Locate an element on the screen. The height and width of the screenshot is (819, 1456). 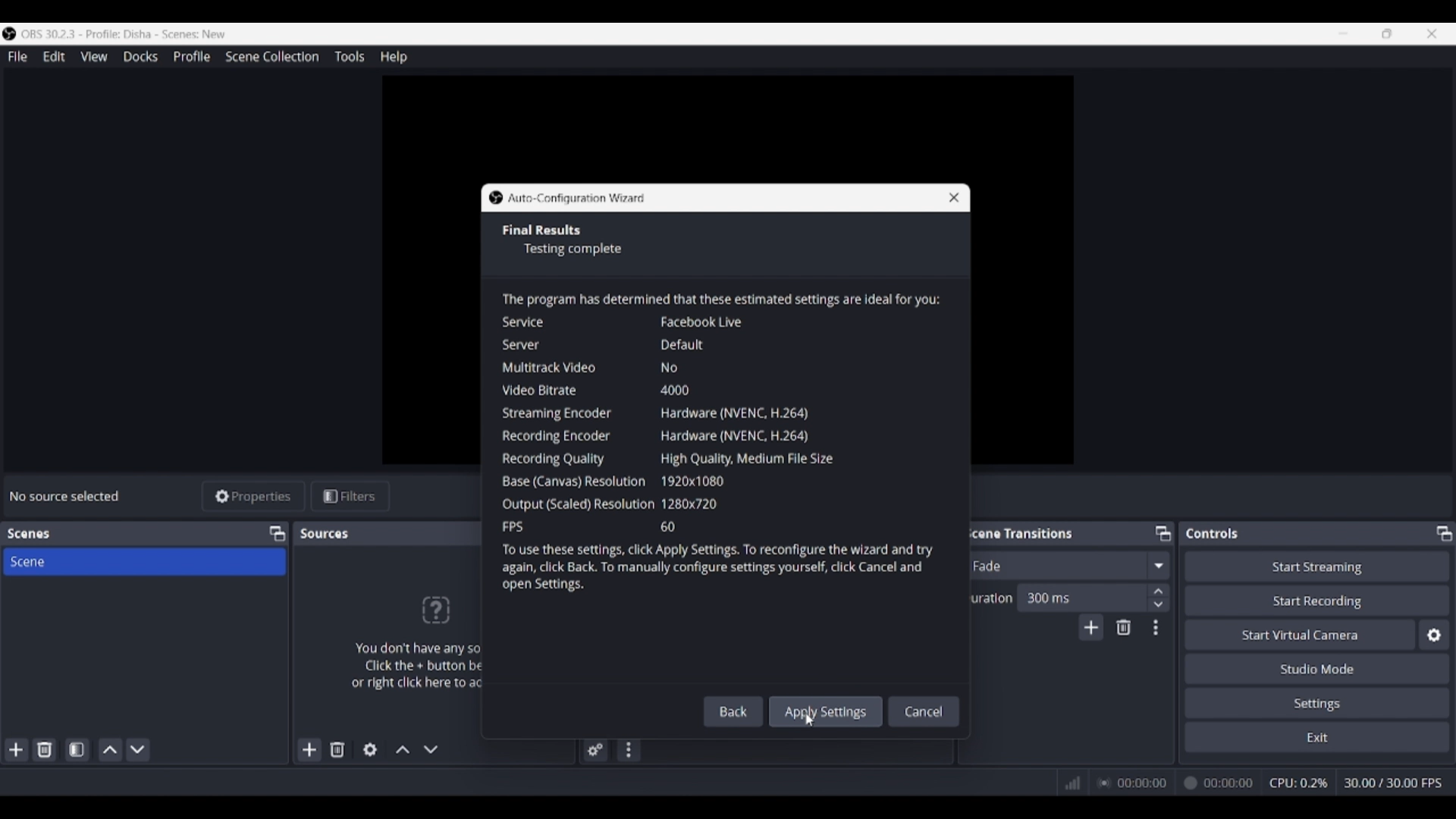
Configure virtual camera is located at coordinates (1434, 635).